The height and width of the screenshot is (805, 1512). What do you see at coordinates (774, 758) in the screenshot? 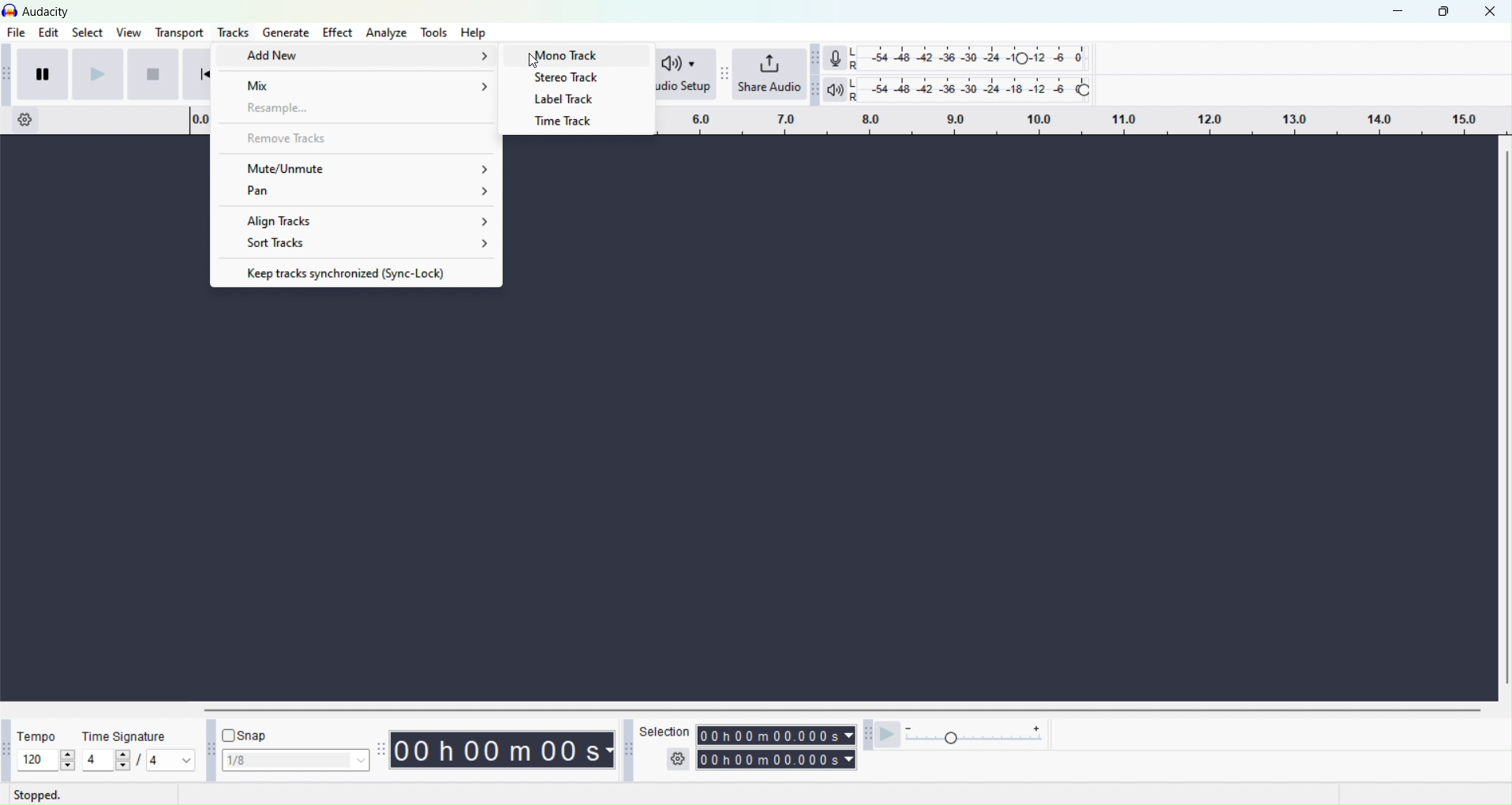
I see `Timing of track` at bounding box center [774, 758].